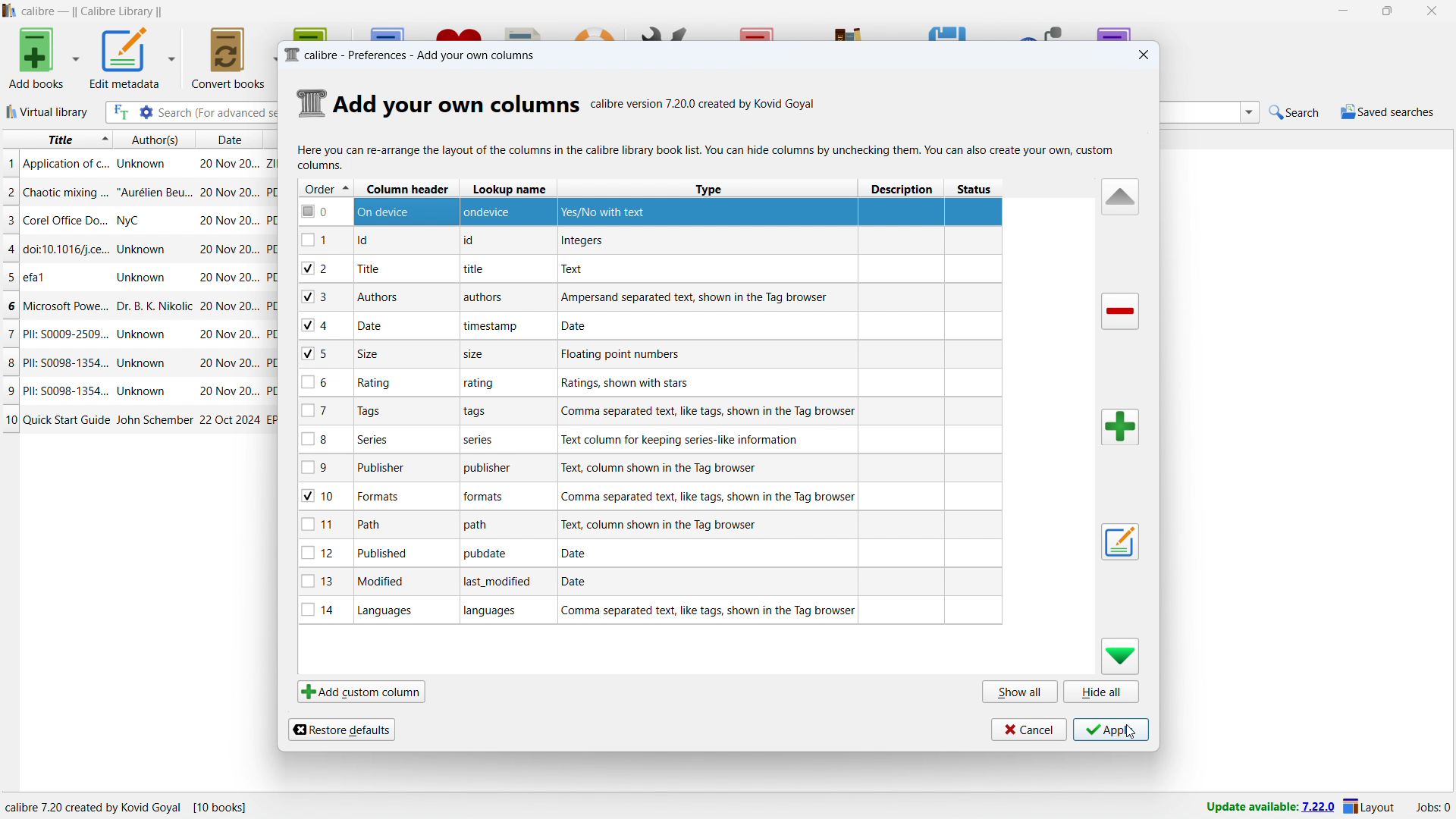 This screenshot has width=1456, height=819. What do you see at coordinates (321, 610) in the screenshot?
I see `14` at bounding box center [321, 610].